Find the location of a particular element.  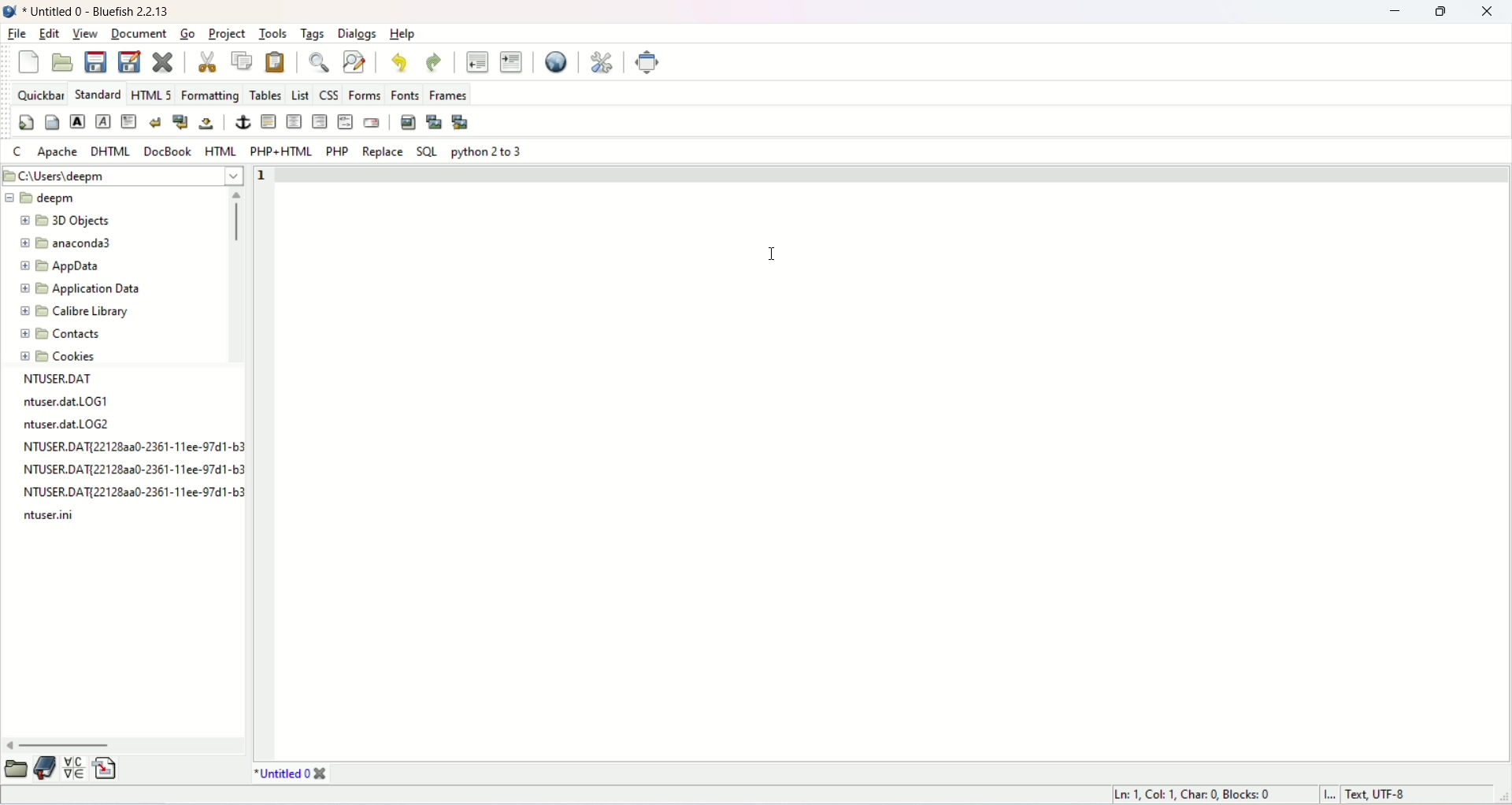

list is located at coordinates (301, 95).